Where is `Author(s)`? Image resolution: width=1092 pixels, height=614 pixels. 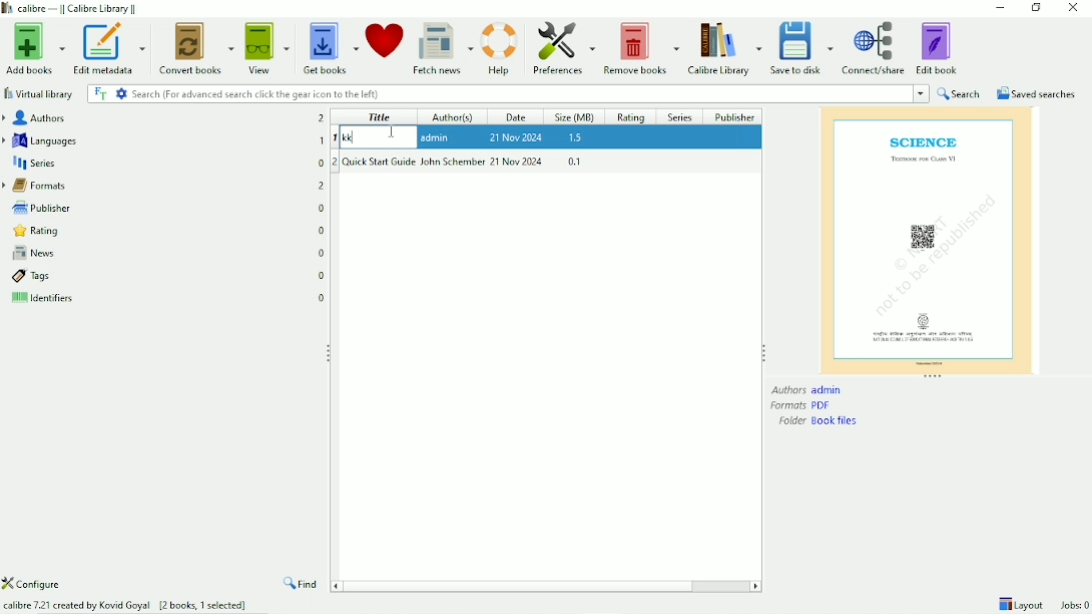 Author(s) is located at coordinates (459, 117).